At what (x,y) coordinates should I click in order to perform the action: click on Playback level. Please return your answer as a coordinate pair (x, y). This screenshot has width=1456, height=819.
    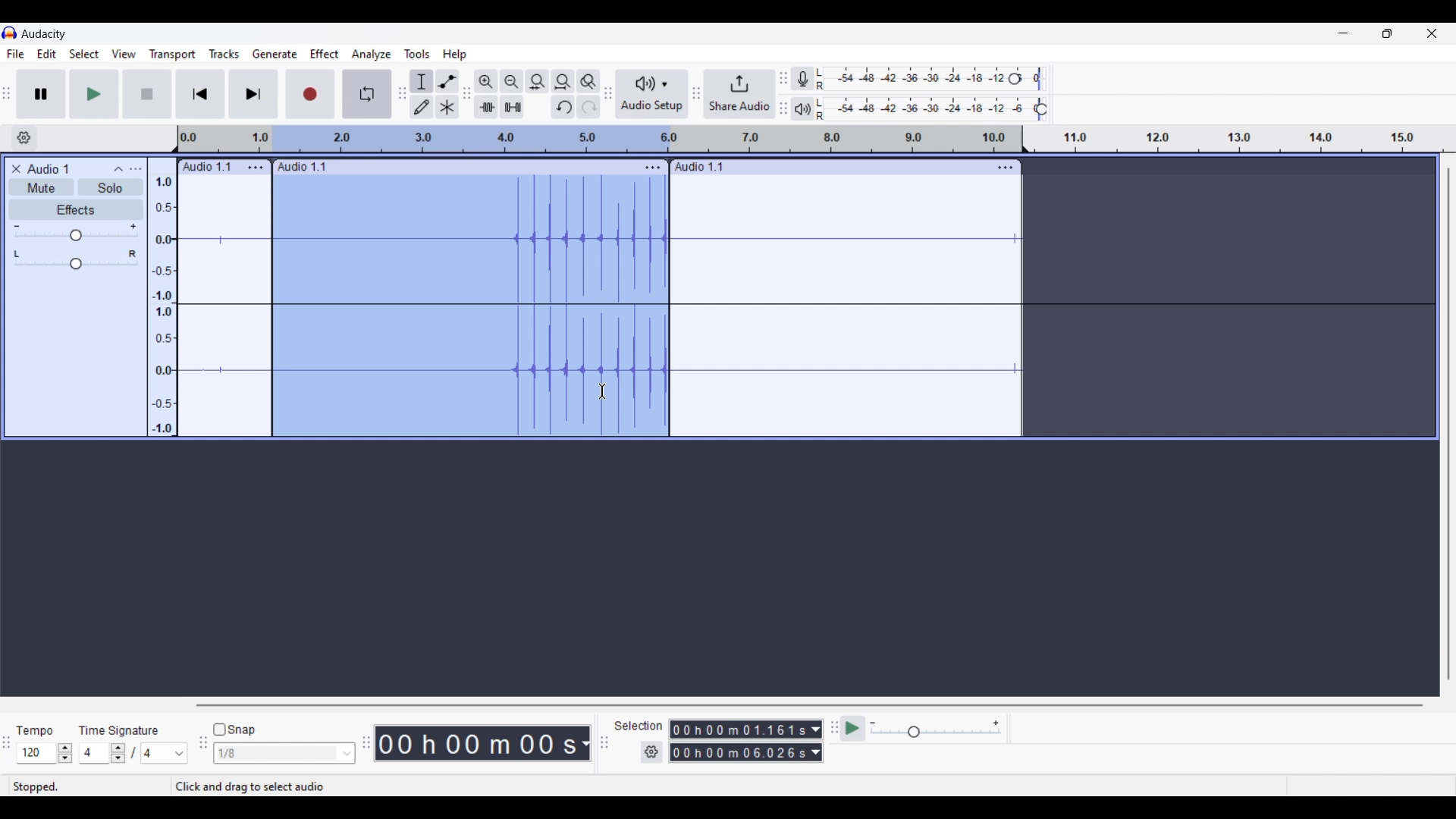
    Looking at the image, I should click on (927, 109).